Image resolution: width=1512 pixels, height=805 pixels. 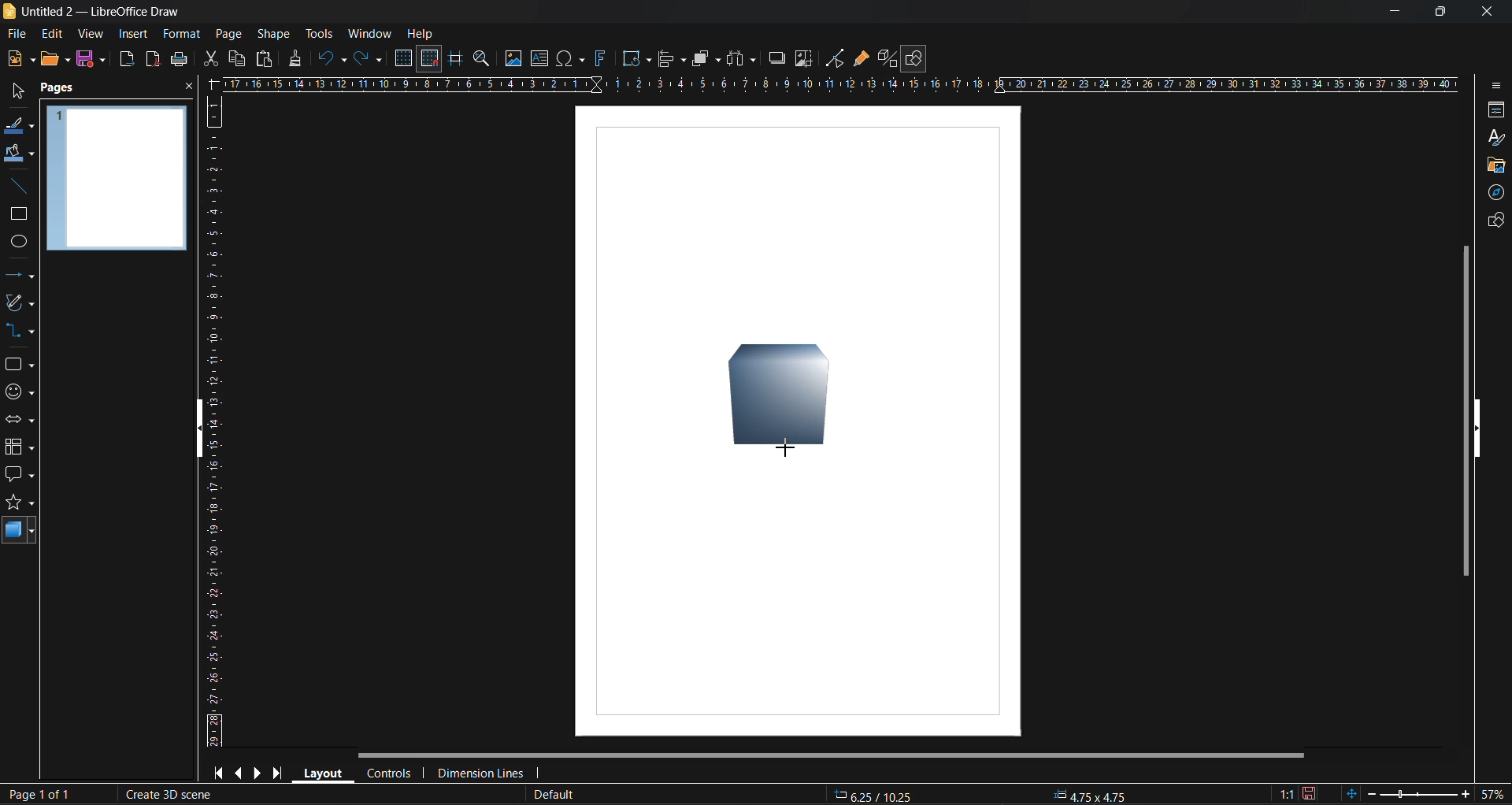 I want to click on helplines, so click(x=456, y=61).